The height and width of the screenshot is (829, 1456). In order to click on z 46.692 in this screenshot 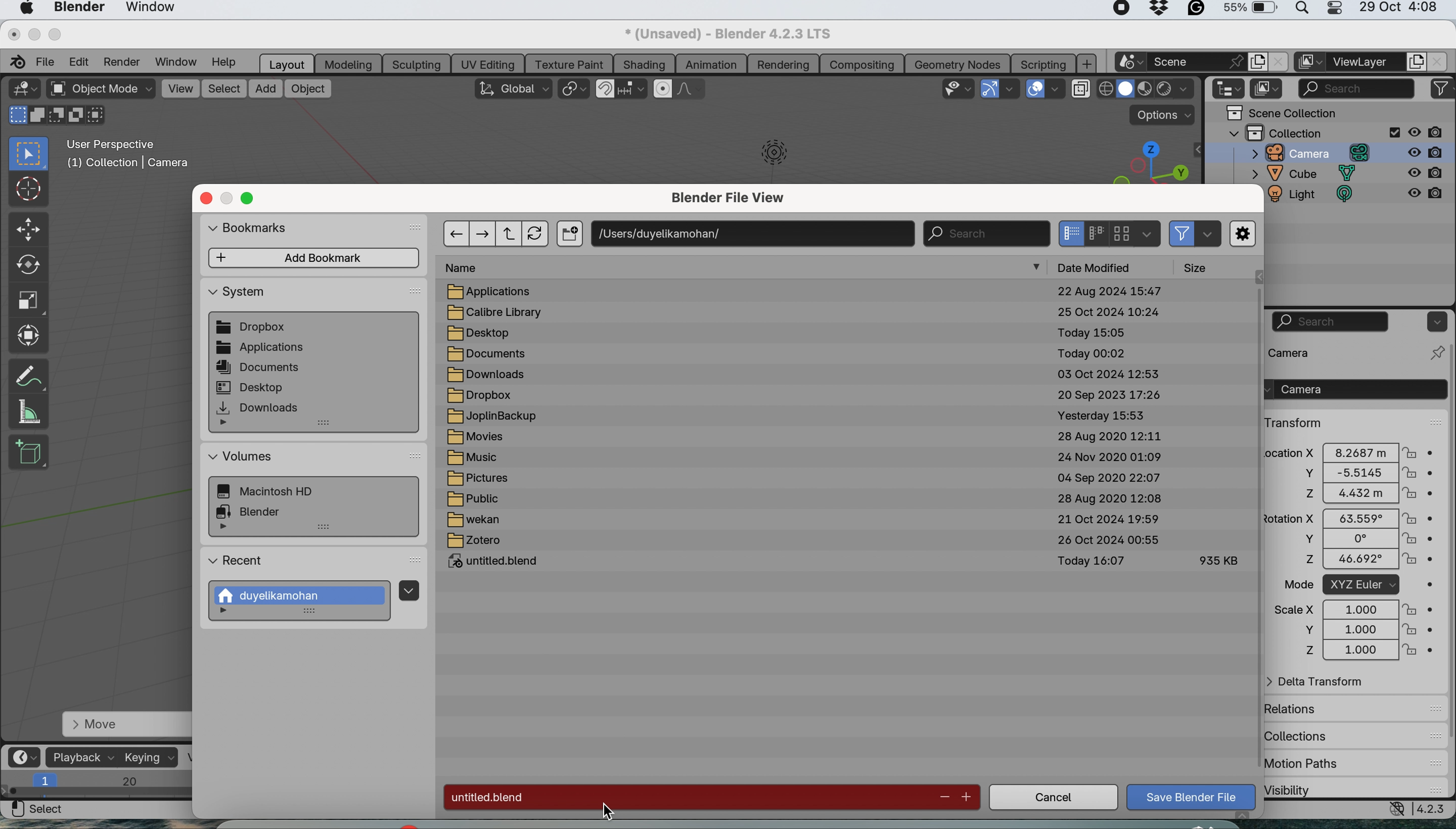, I will do `click(1345, 561)`.